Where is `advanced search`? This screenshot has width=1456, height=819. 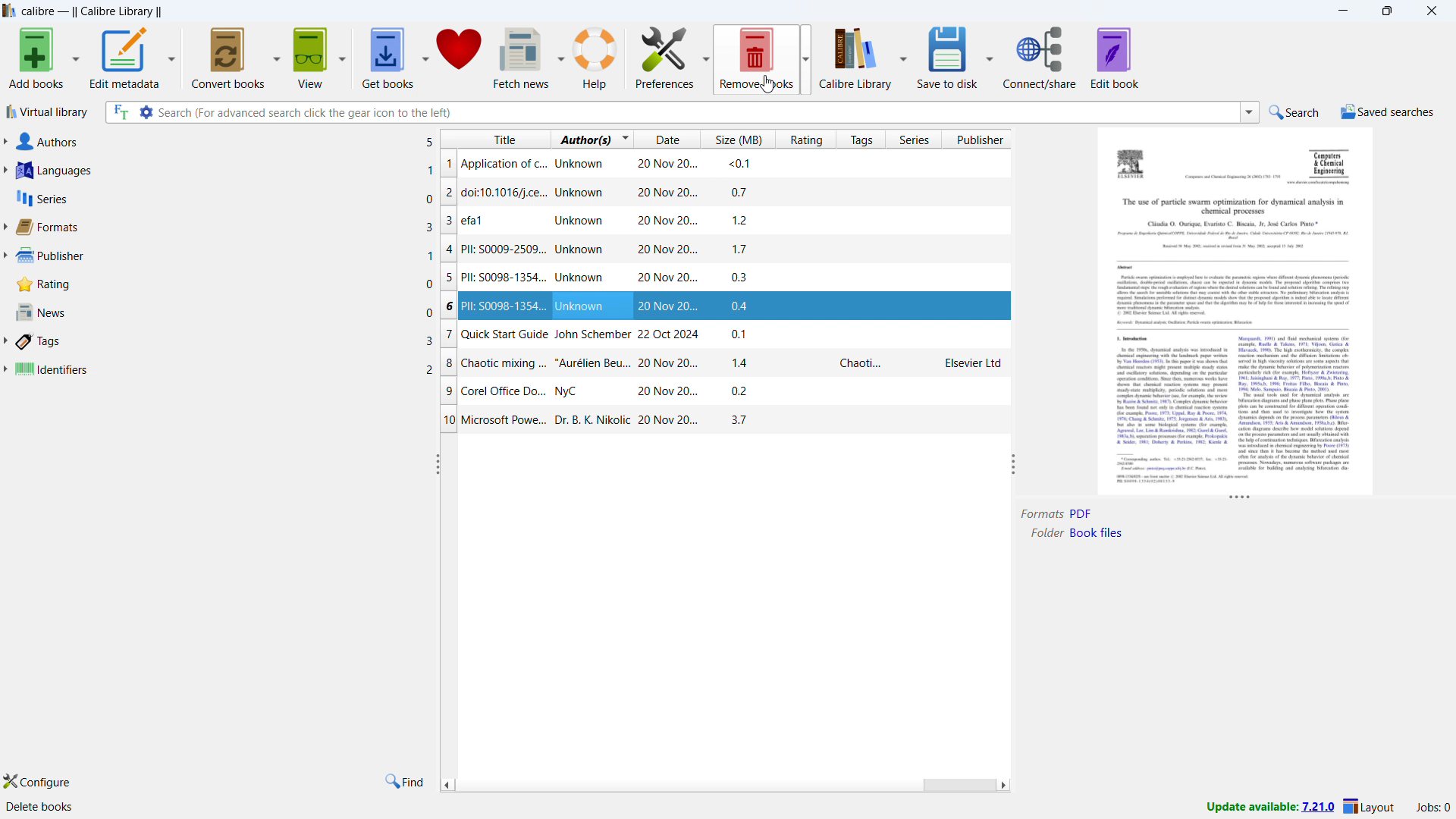
advanced search is located at coordinates (146, 112).